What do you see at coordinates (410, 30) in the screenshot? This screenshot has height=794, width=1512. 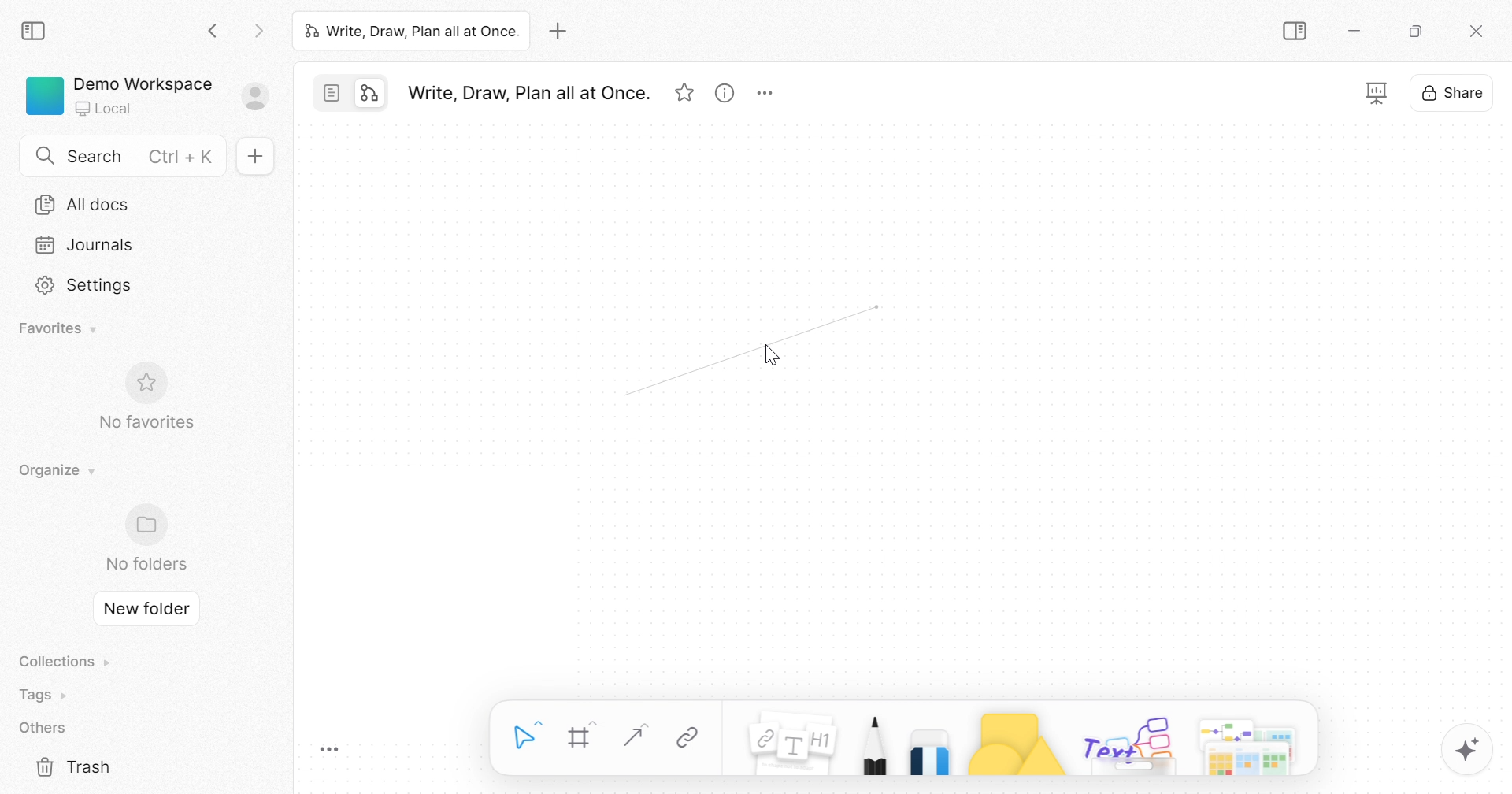 I see `Write, Draw, Plan all at Once.` at bounding box center [410, 30].